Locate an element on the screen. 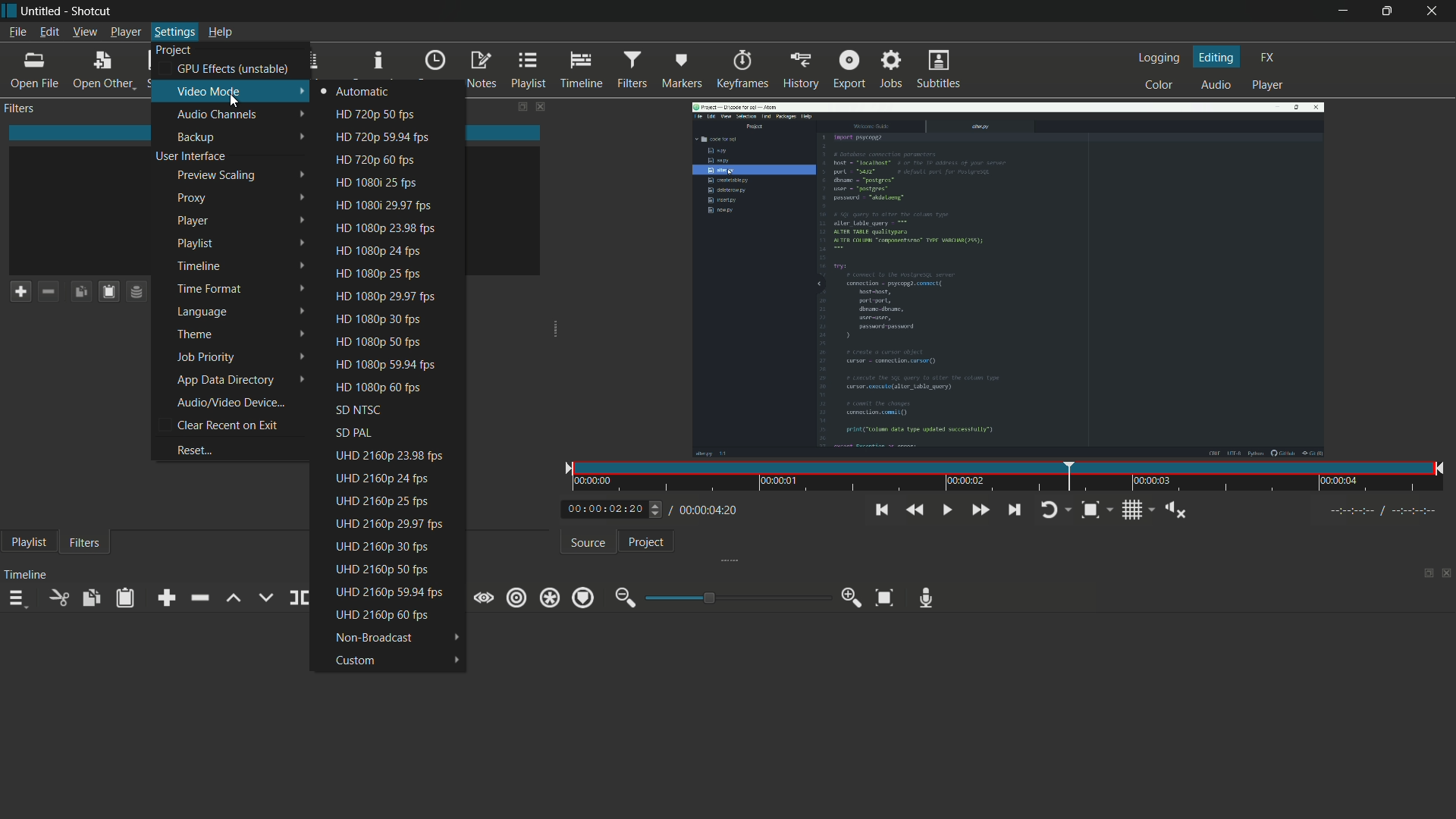  notes is located at coordinates (482, 71).